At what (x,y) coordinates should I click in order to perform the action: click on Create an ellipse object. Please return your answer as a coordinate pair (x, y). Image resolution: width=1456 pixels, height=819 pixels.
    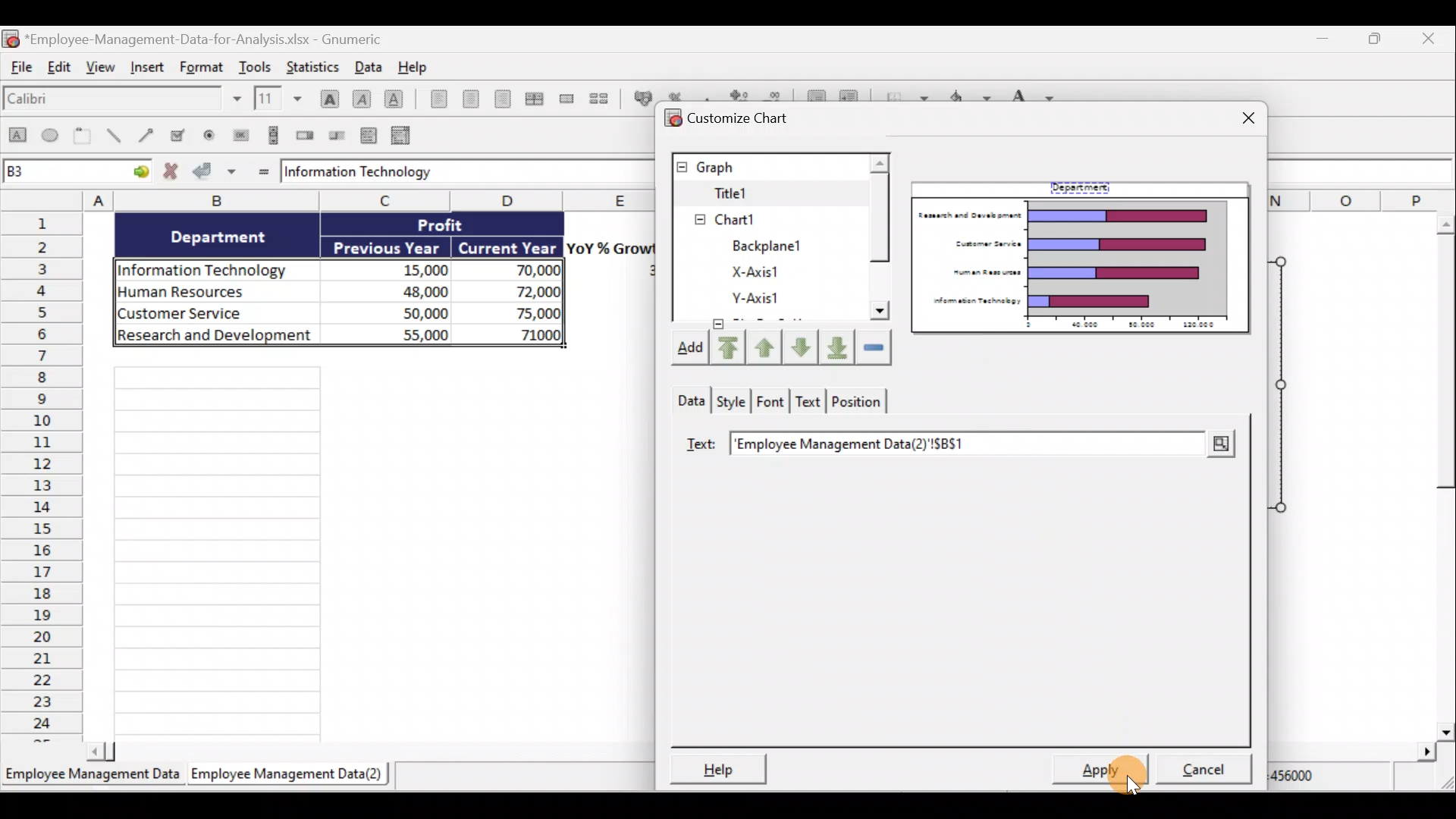
    Looking at the image, I should click on (51, 134).